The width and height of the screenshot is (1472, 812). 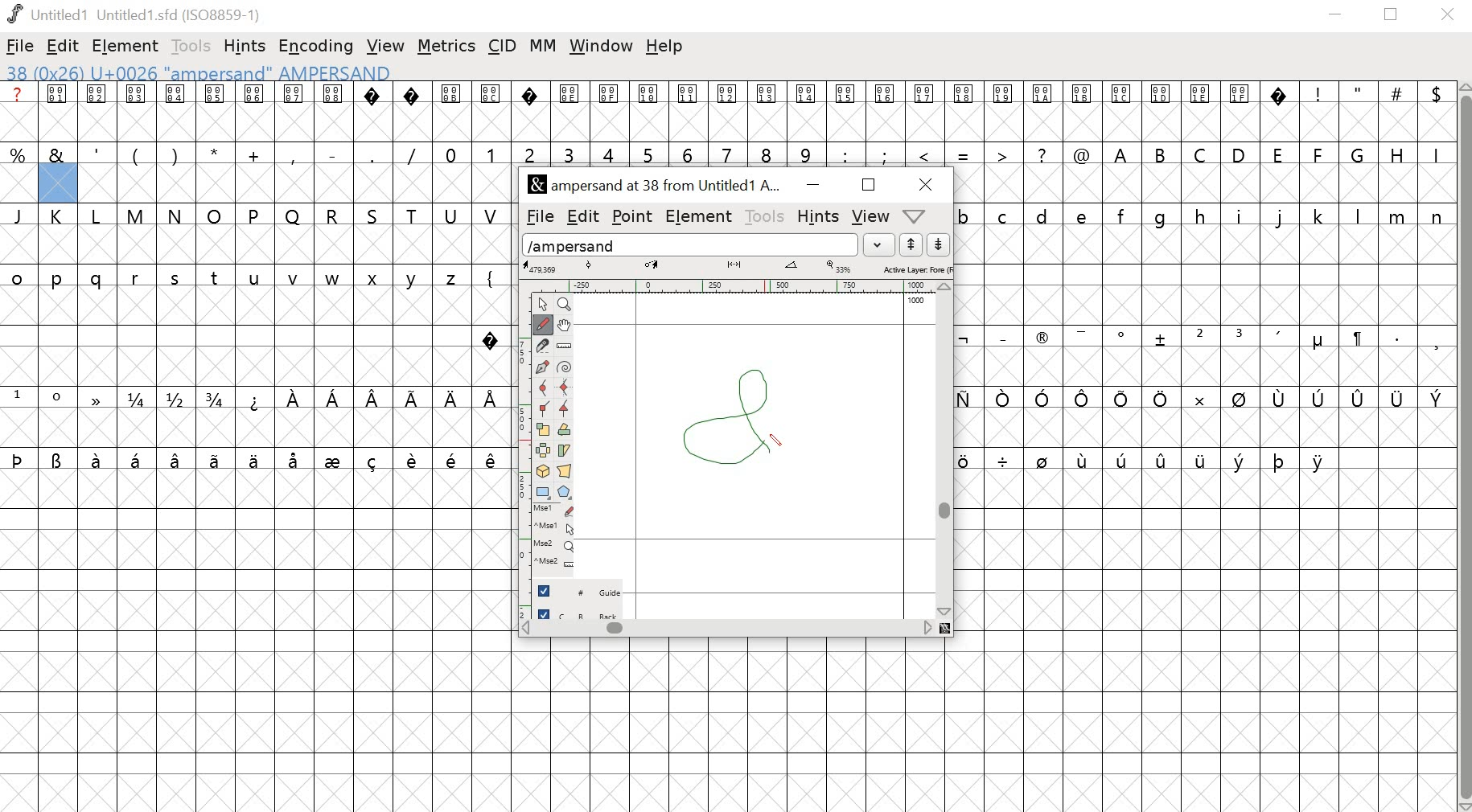 What do you see at coordinates (882, 244) in the screenshot?
I see `drop down` at bounding box center [882, 244].